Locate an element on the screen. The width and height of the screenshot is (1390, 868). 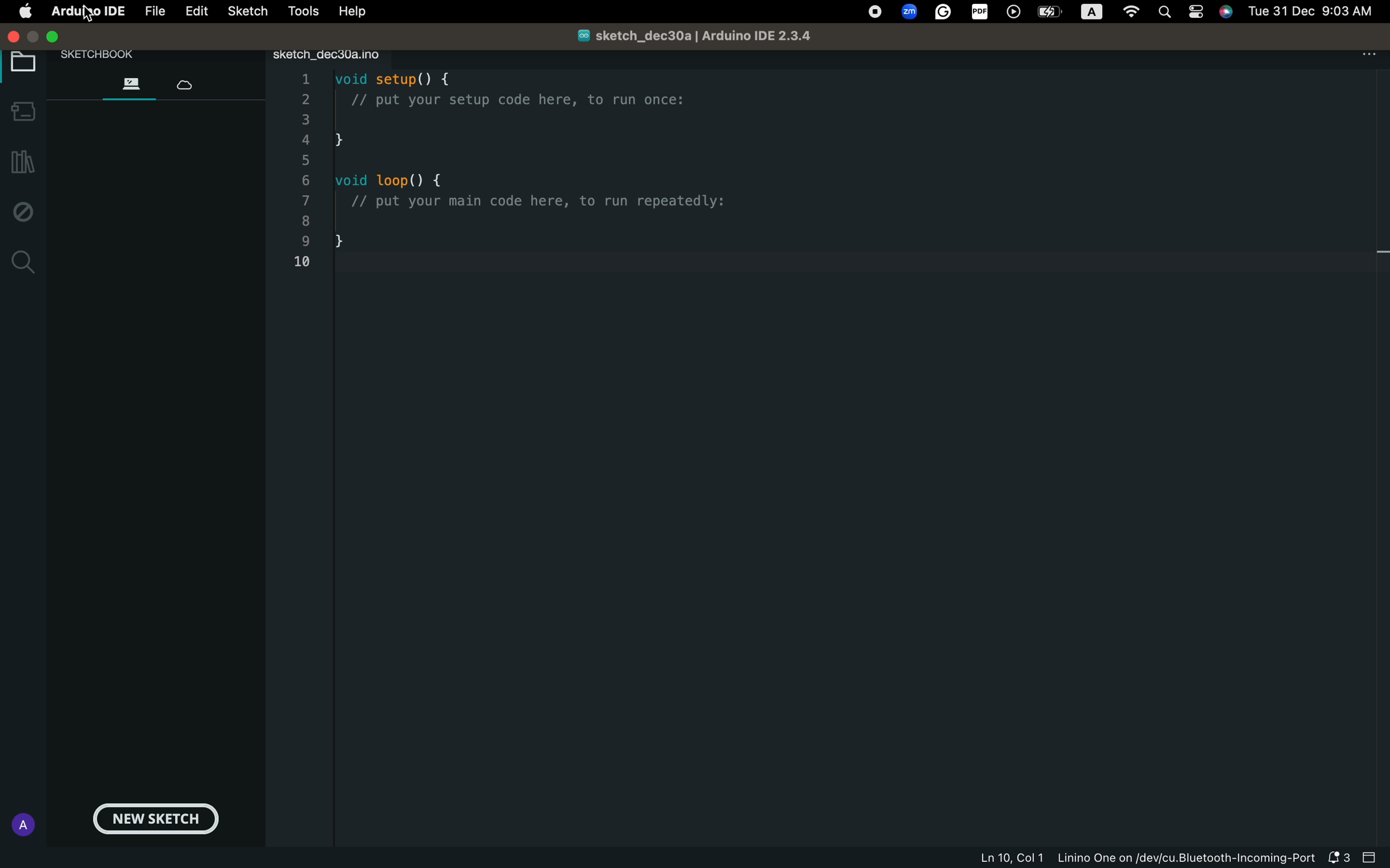
tools is located at coordinates (300, 11).